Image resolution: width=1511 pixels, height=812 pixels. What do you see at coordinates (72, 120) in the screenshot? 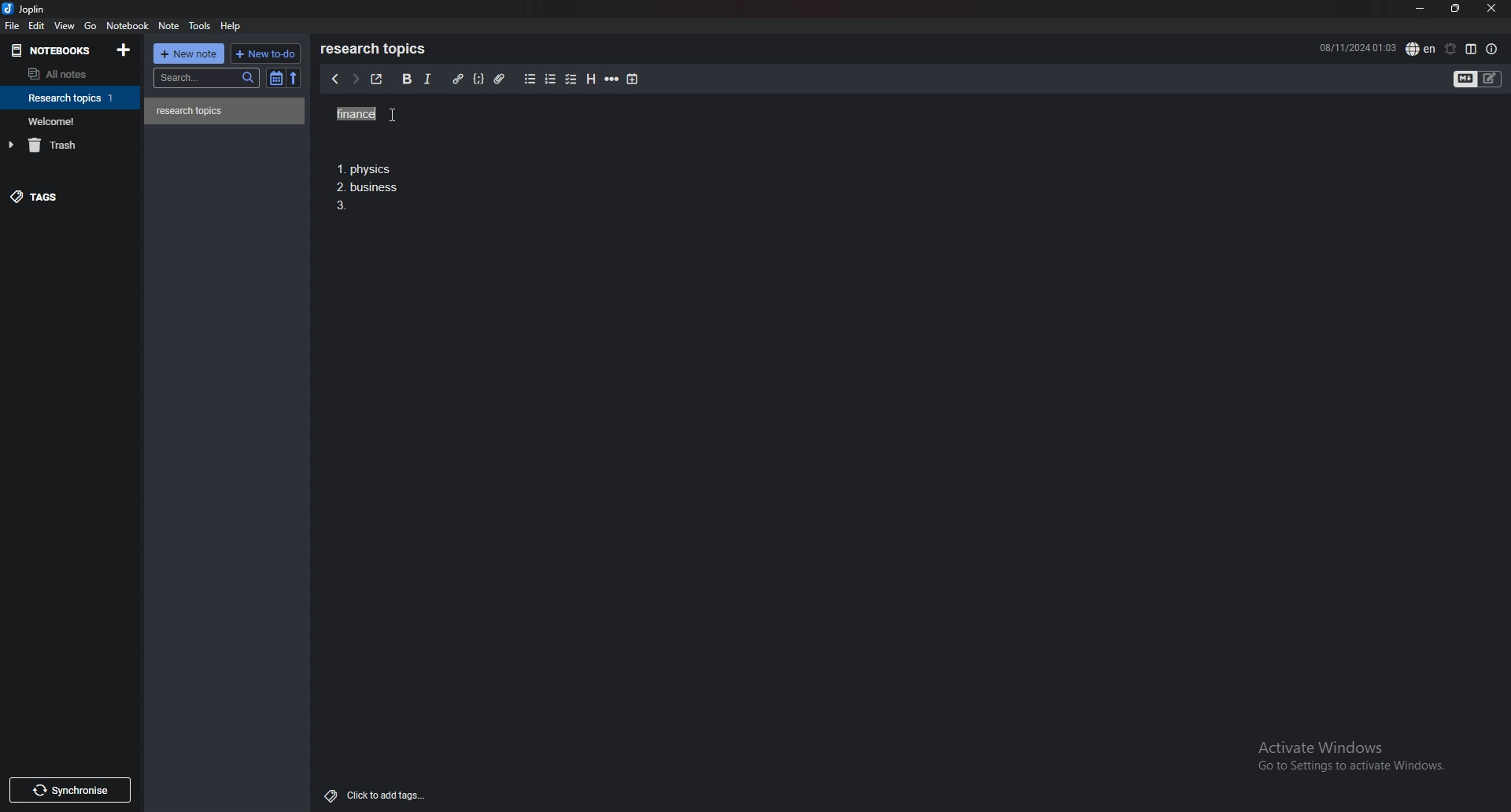
I see `notebook` at bounding box center [72, 120].